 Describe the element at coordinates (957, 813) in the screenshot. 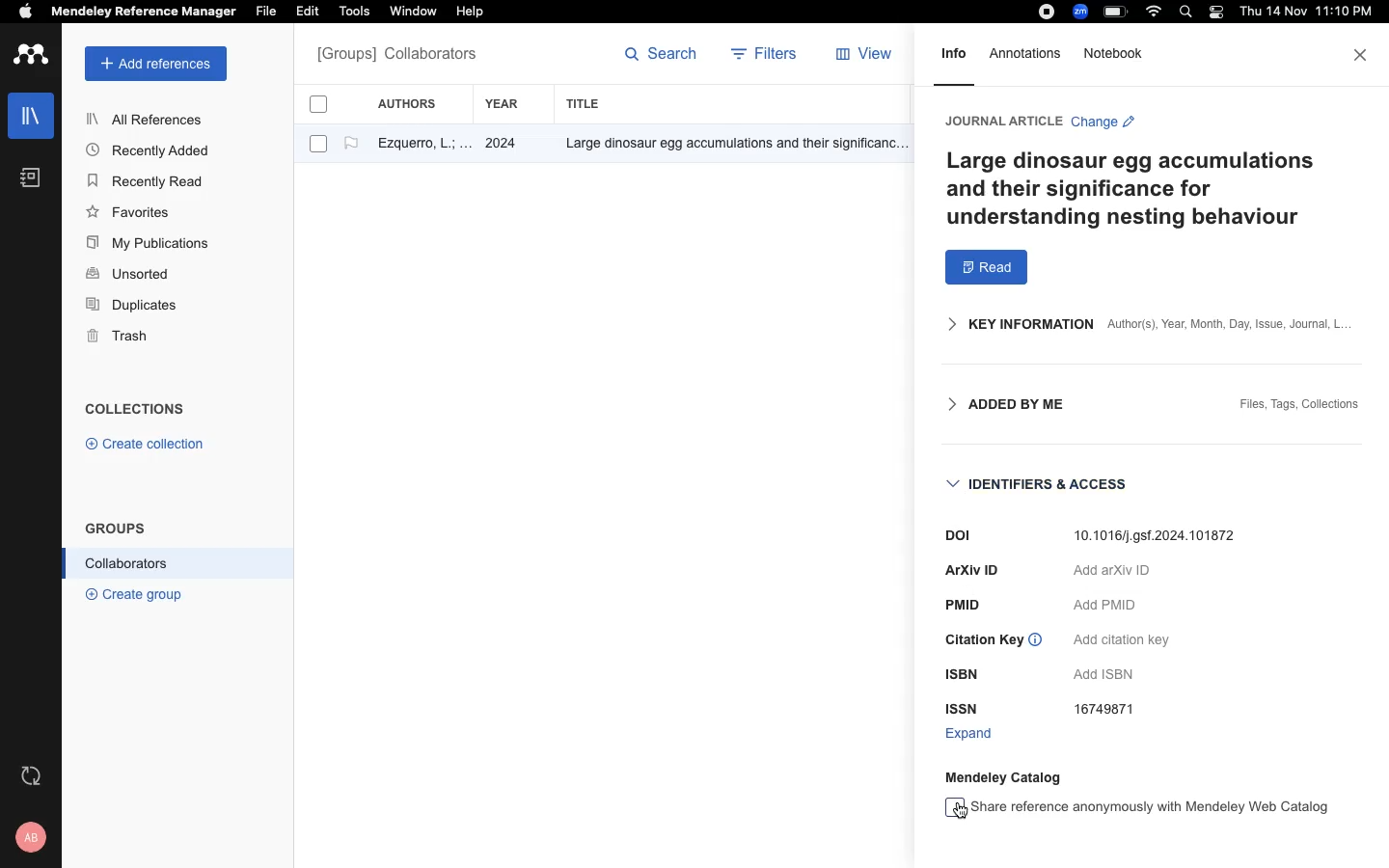

I see `cursor` at that location.